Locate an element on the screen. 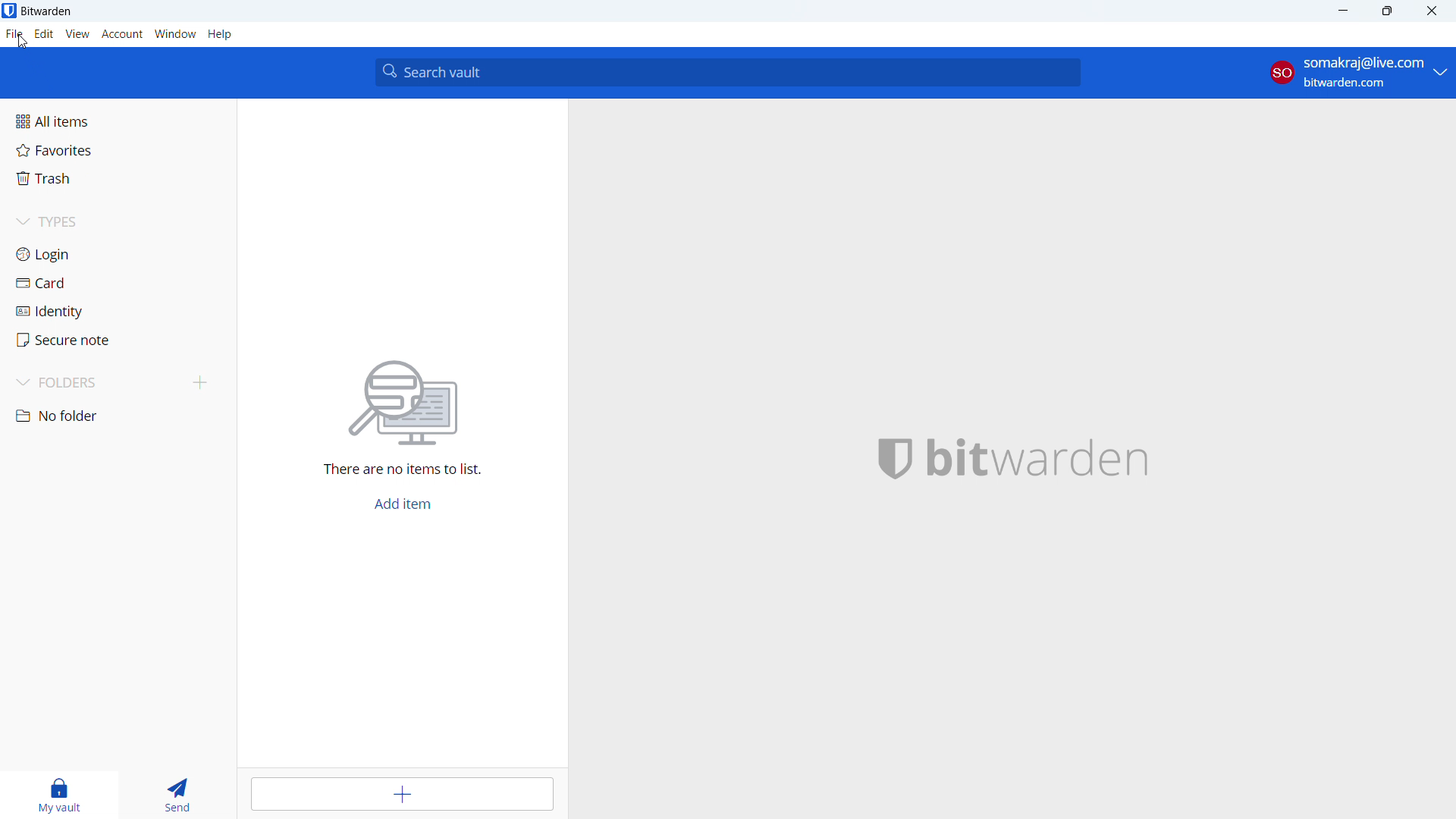  card is located at coordinates (115, 283).